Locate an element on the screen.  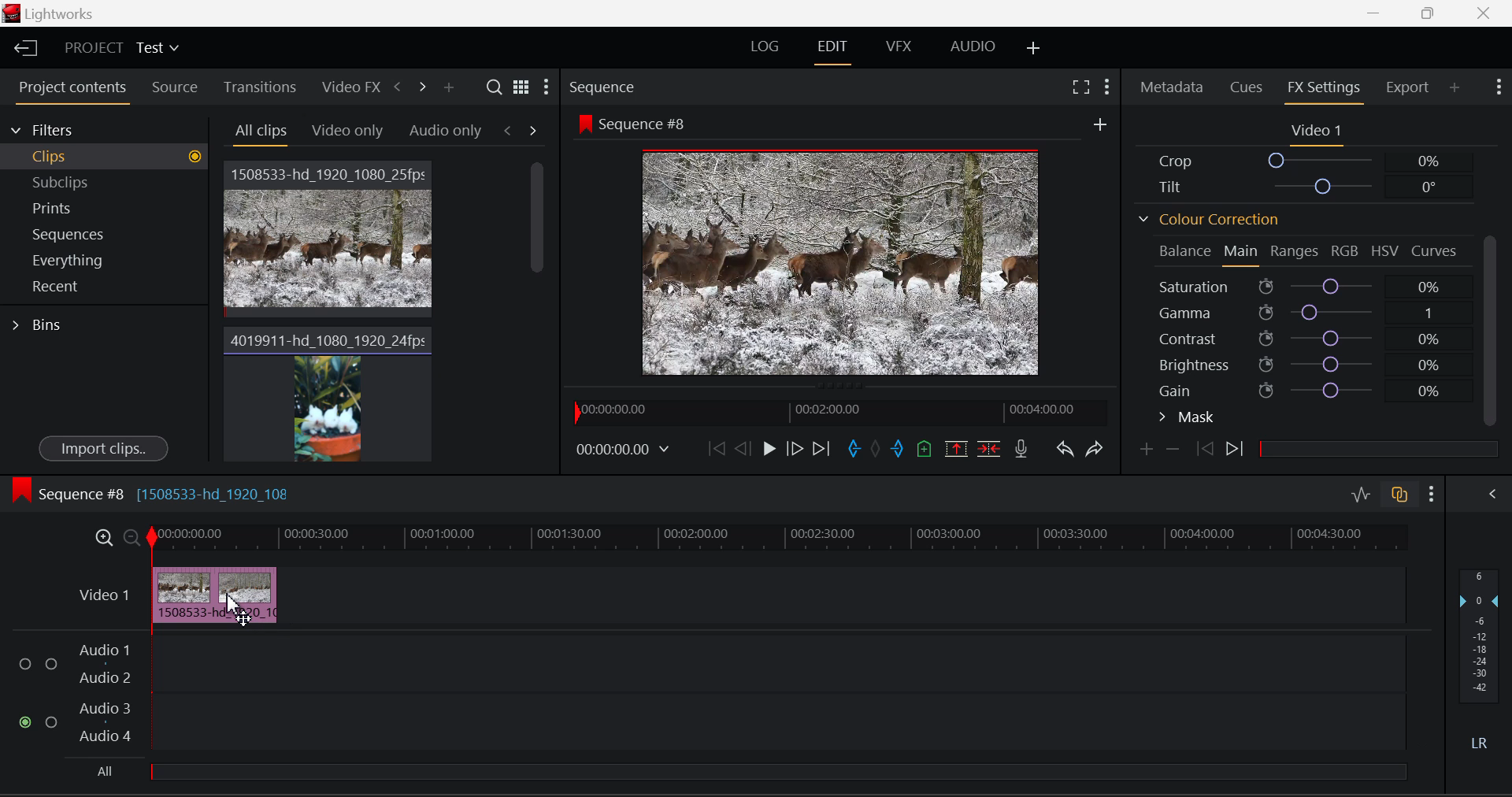
Remove All Marks is located at coordinates (877, 447).